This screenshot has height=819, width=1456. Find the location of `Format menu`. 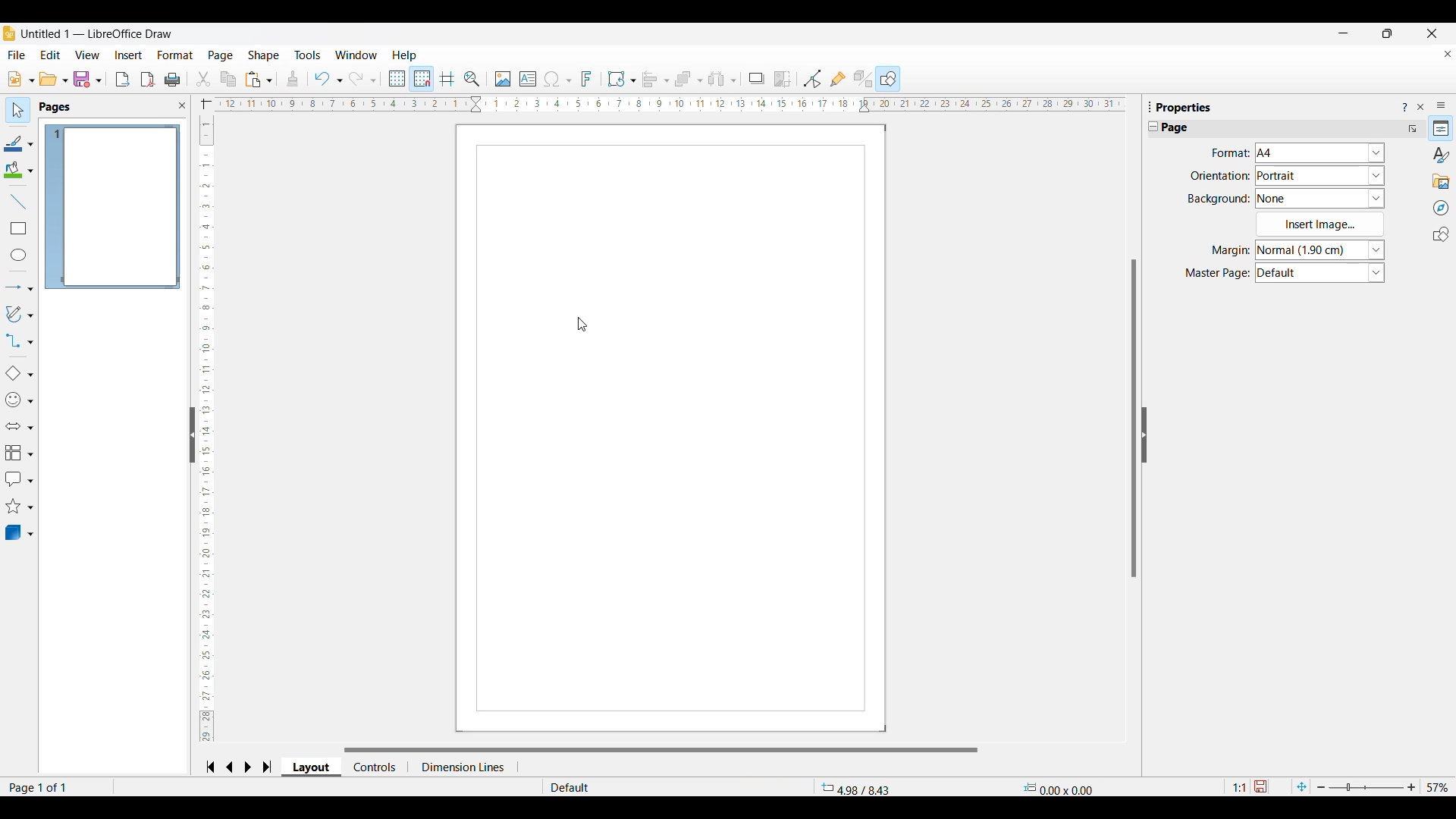

Format menu is located at coordinates (176, 55).